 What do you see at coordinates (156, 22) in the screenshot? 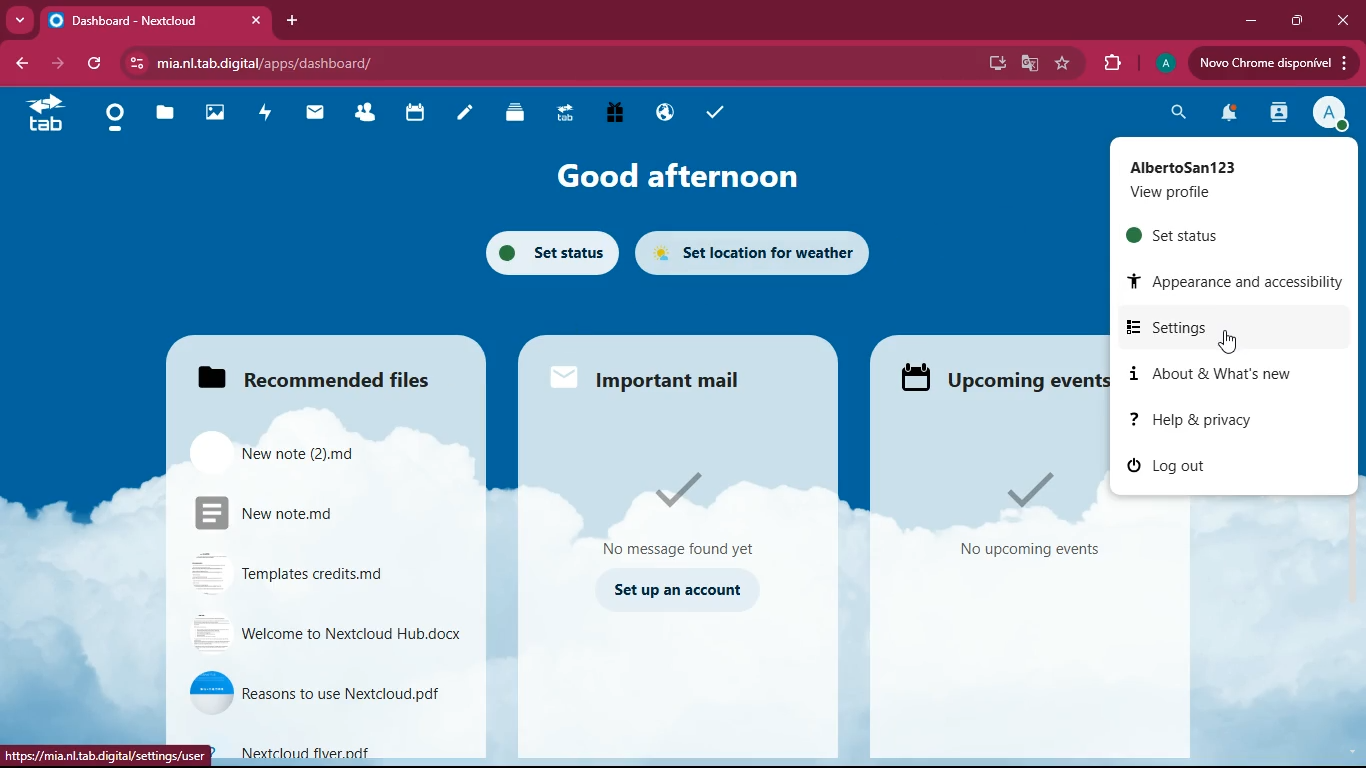
I see `tab` at bounding box center [156, 22].